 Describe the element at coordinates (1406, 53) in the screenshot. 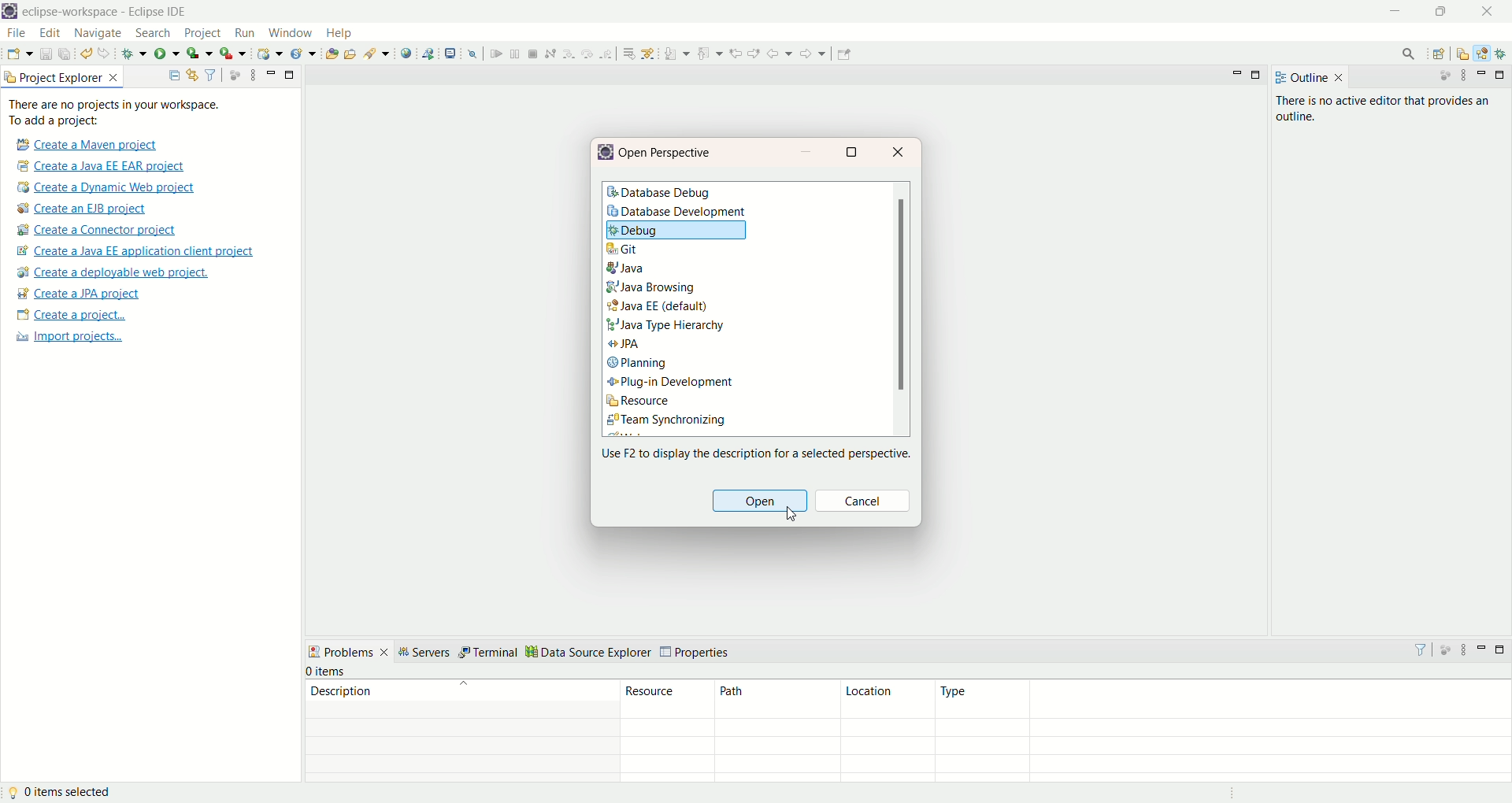

I see `search` at that location.